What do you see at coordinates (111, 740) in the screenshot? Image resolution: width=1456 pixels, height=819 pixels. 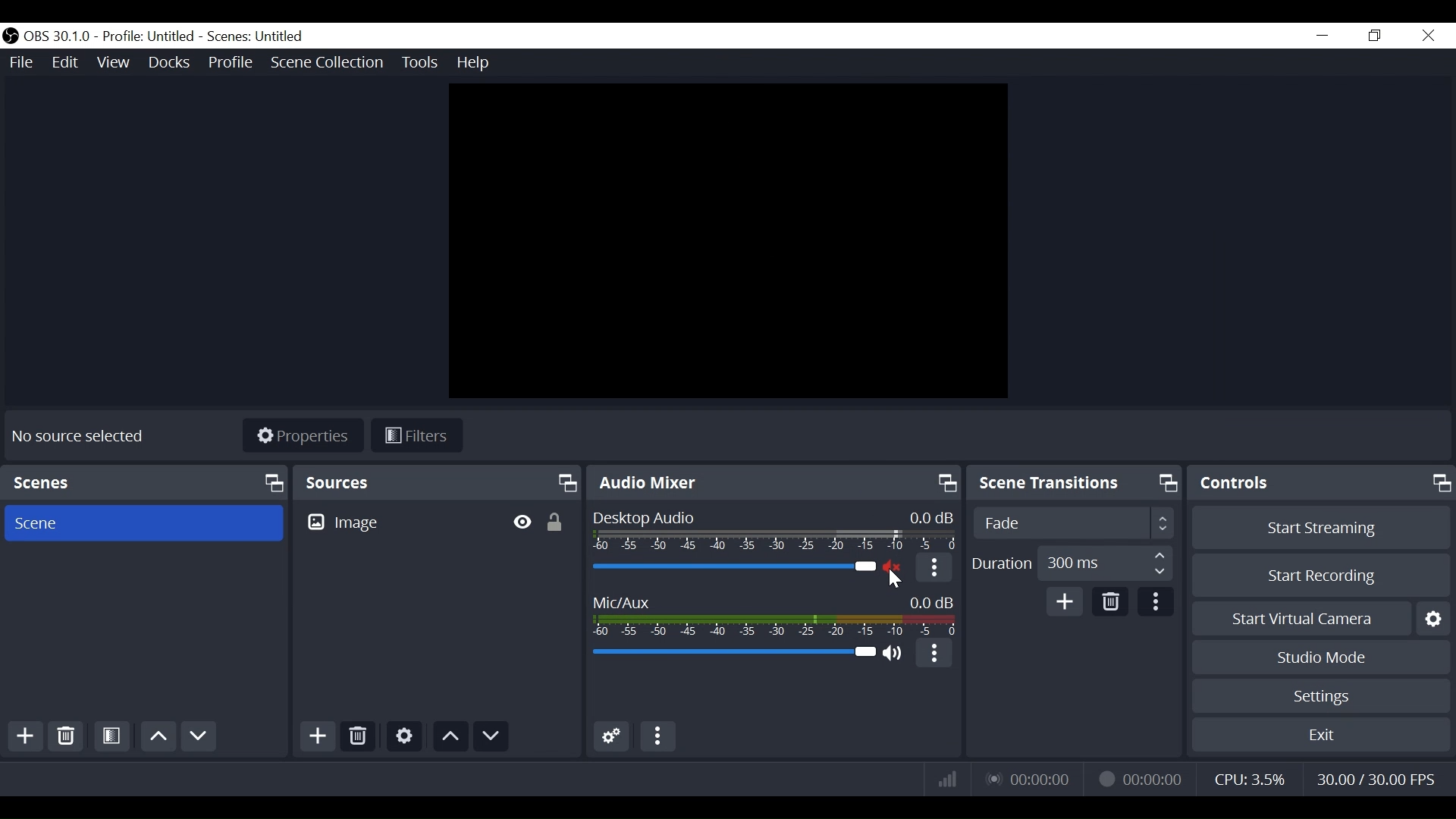 I see `Open Scene Filter` at bounding box center [111, 740].